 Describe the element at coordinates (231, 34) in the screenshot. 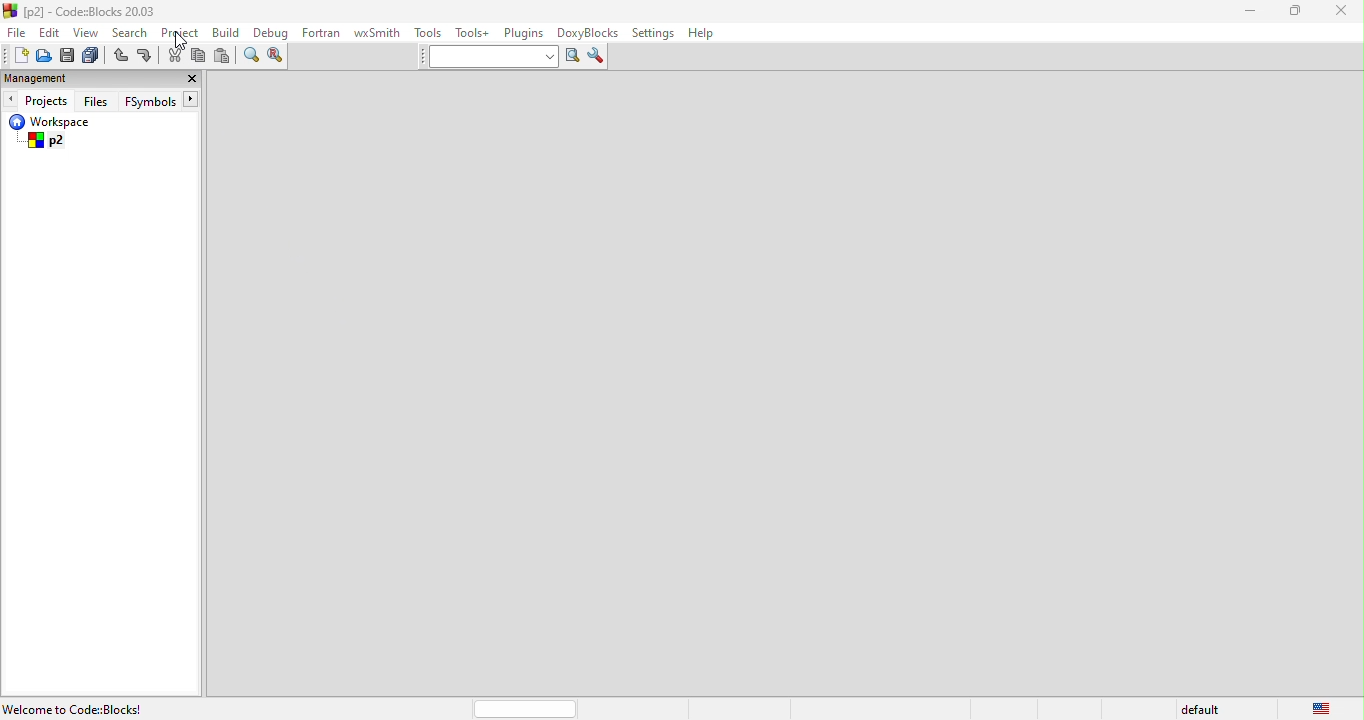

I see `build` at that location.